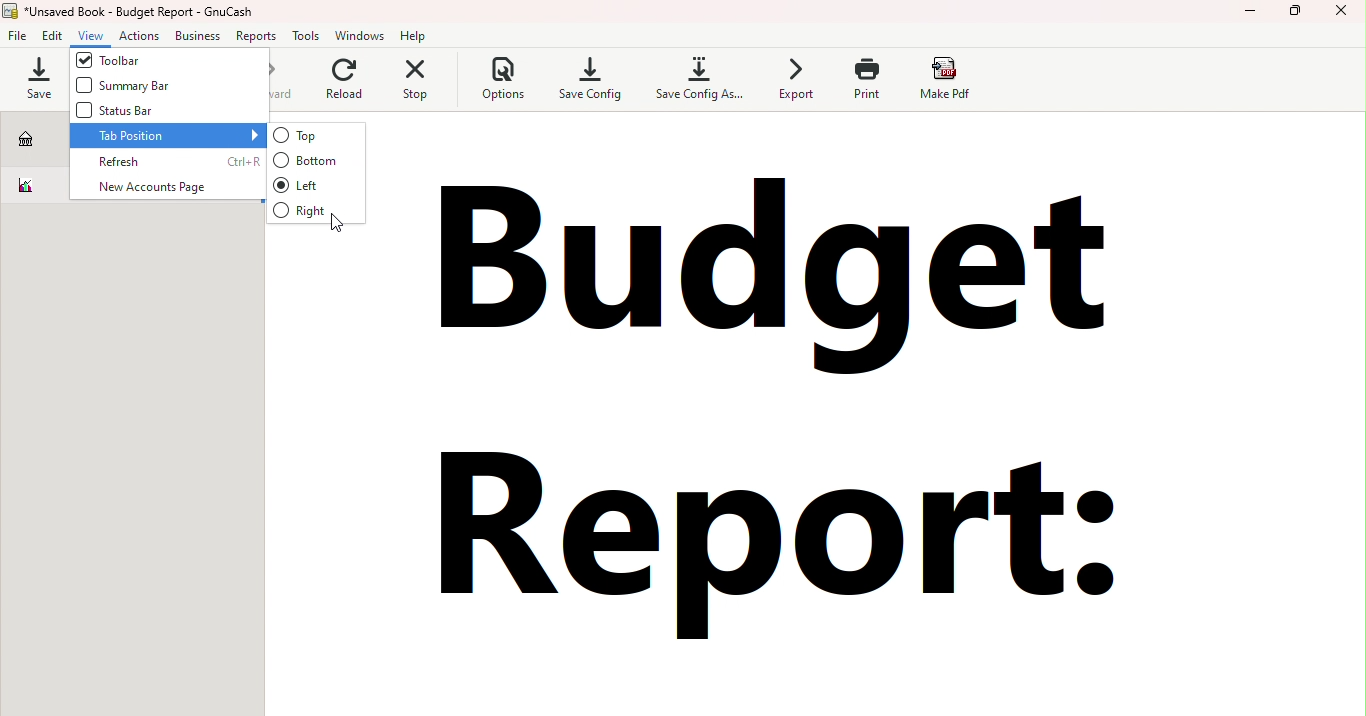 This screenshot has height=716, width=1366. Describe the element at coordinates (781, 421) in the screenshot. I see `Budget report` at that location.